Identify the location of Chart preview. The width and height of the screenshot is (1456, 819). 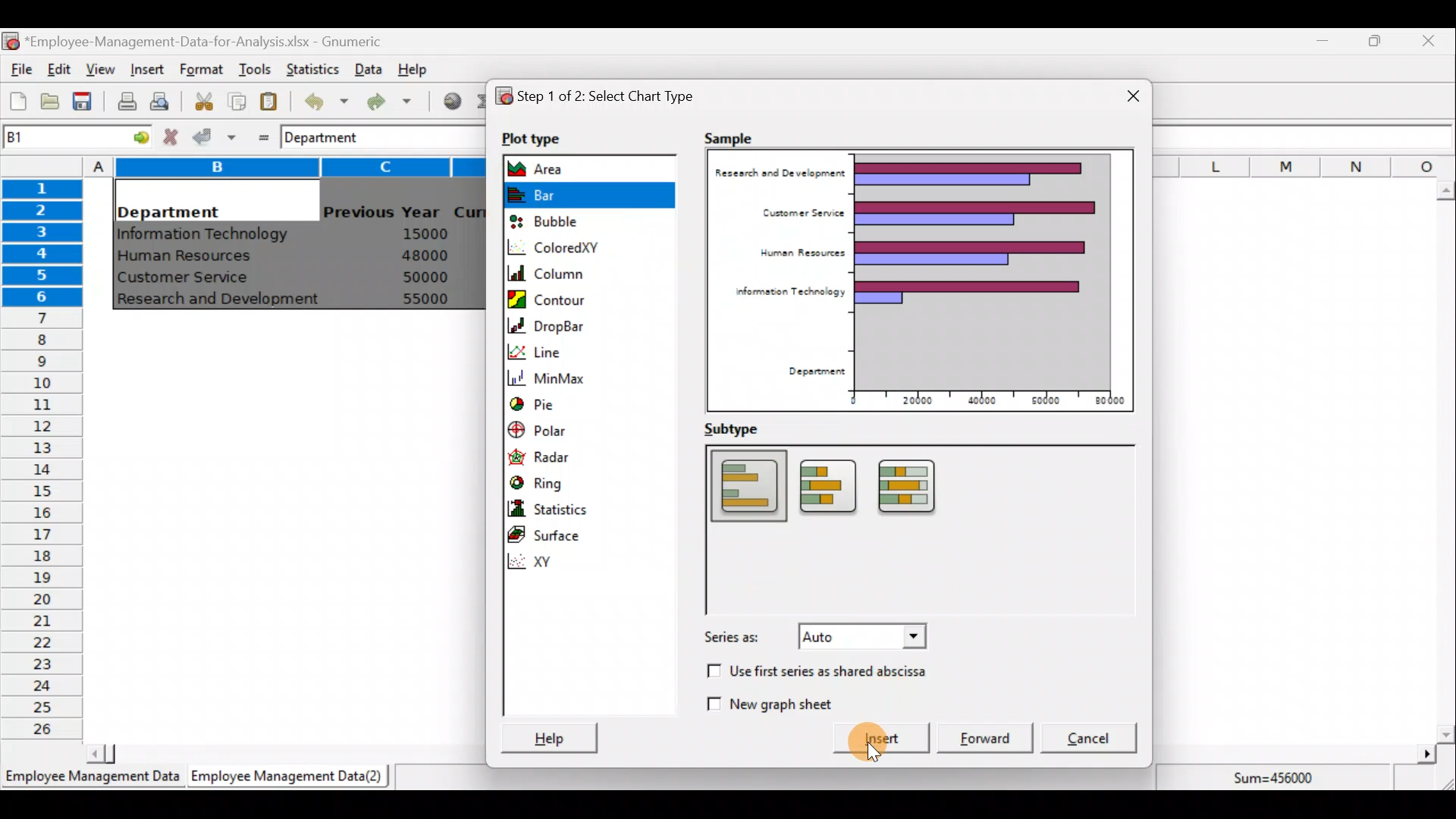
(984, 270).